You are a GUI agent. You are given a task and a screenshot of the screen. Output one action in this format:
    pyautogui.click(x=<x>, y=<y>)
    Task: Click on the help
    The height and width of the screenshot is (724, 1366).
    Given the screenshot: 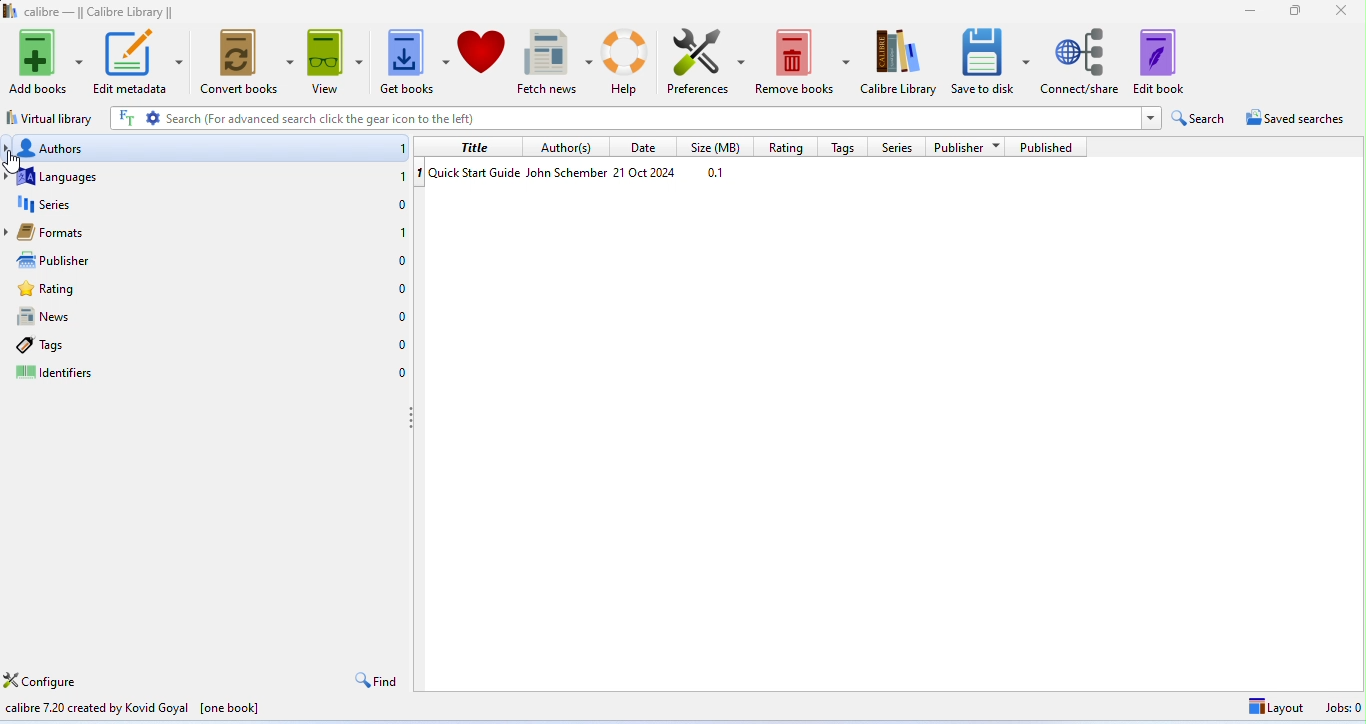 What is the action you would take?
    pyautogui.click(x=626, y=61)
    